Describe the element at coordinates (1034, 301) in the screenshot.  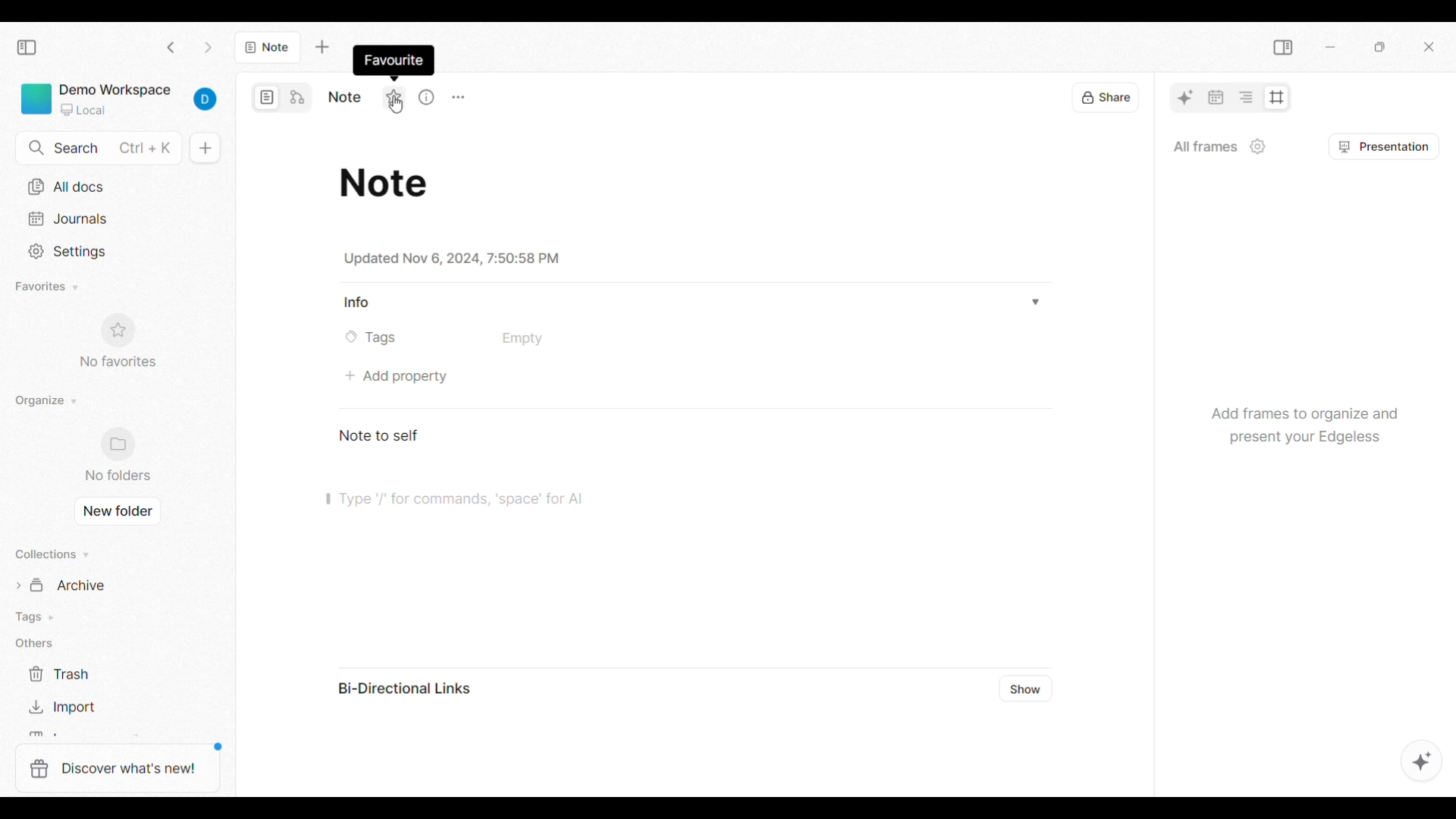
I see `Collapse note info` at that location.